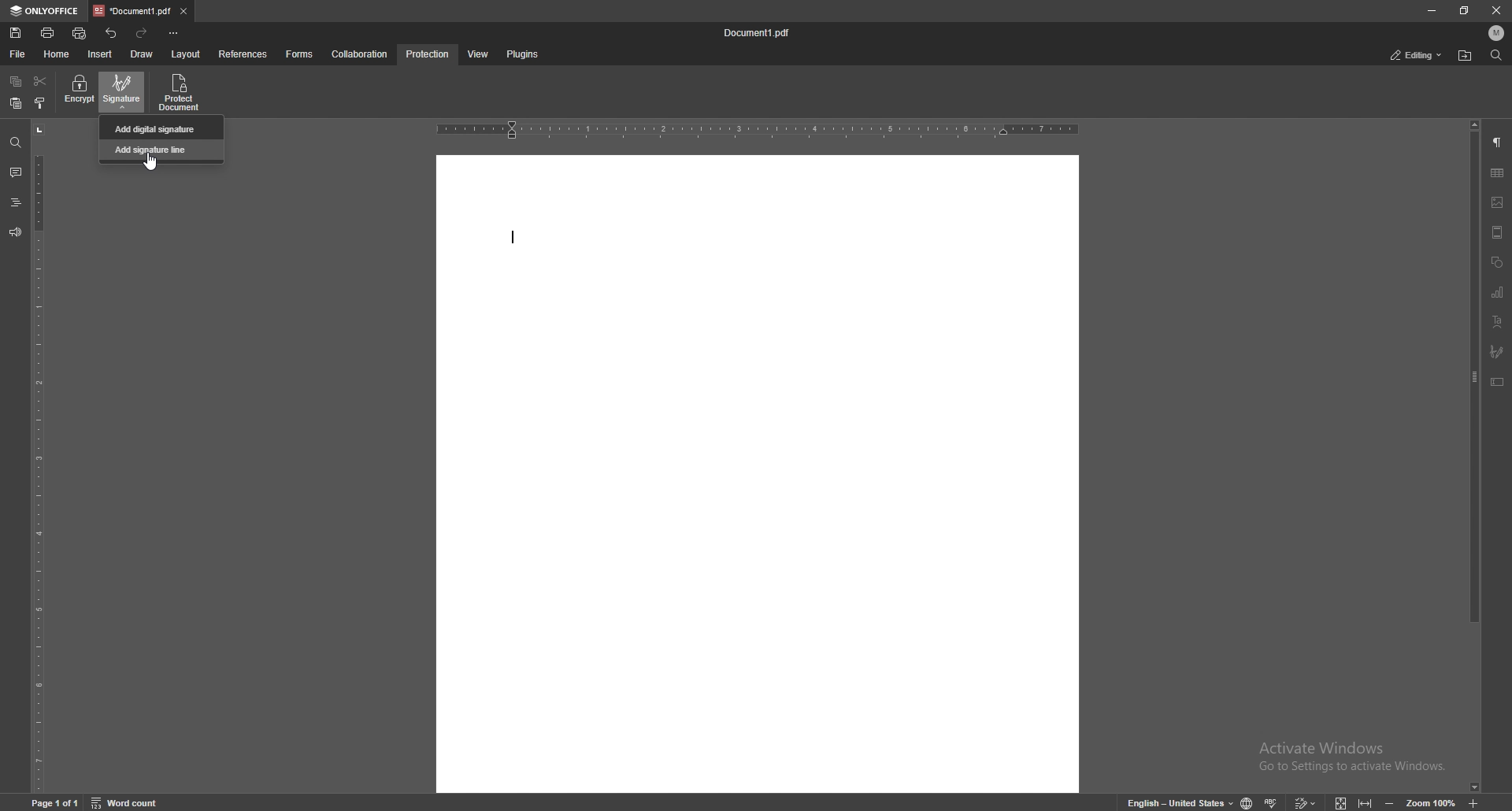 This screenshot has height=811, width=1512. I want to click on zoom in, so click(1487, 803).